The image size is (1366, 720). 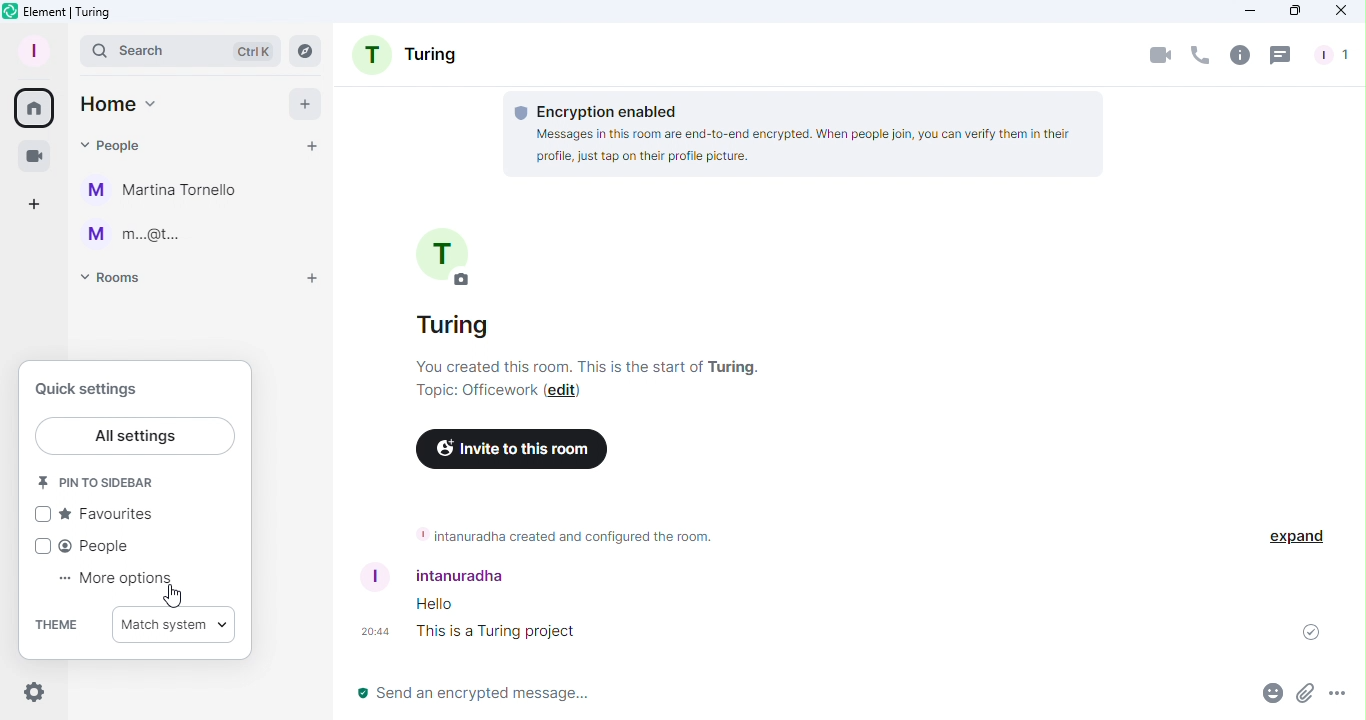 What do you see at coordinates (476, 393) in the screenshot?
I see `Topic` at bounding box center [476, 393].